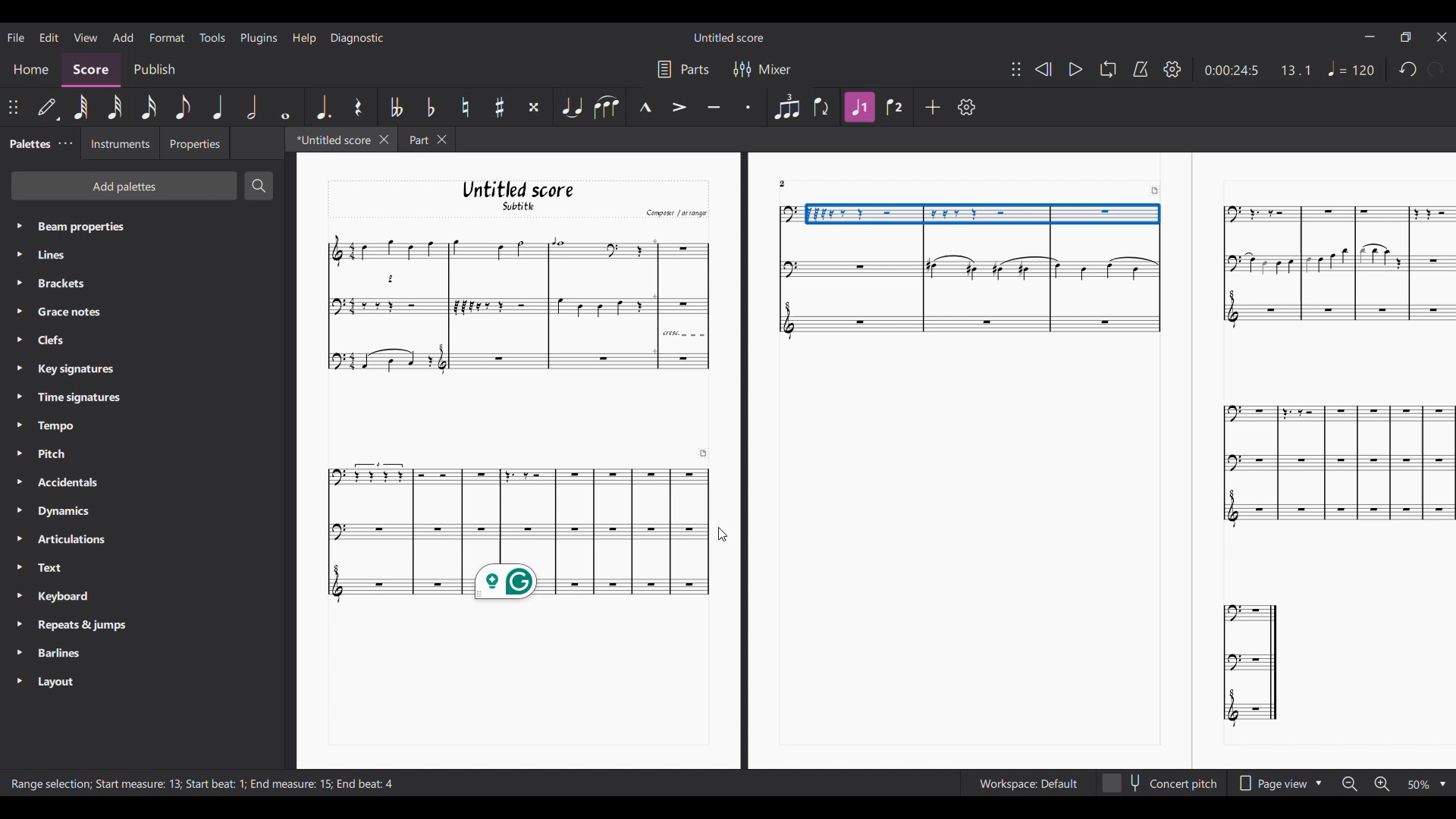 This screenshot has width=1456, height=819. What do you see at coordinates (212, 37) in the screenshot?
I see `Tools menu` at bounding box center [212, 37].